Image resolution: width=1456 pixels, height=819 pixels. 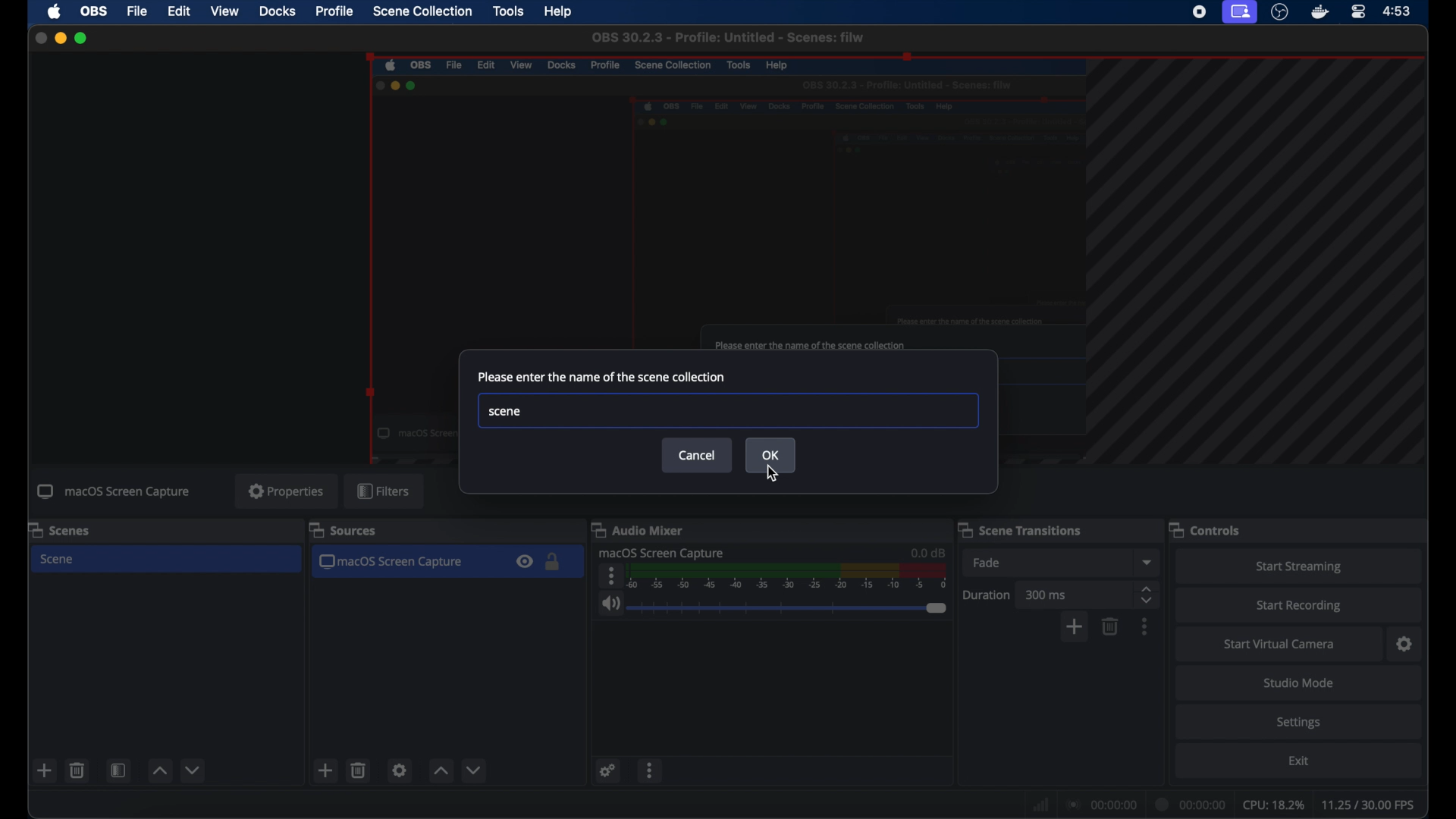 What do you see at coordinates (118, 771) in the screenshot?
I see `open scene filter` at bounding box center [118, 771].